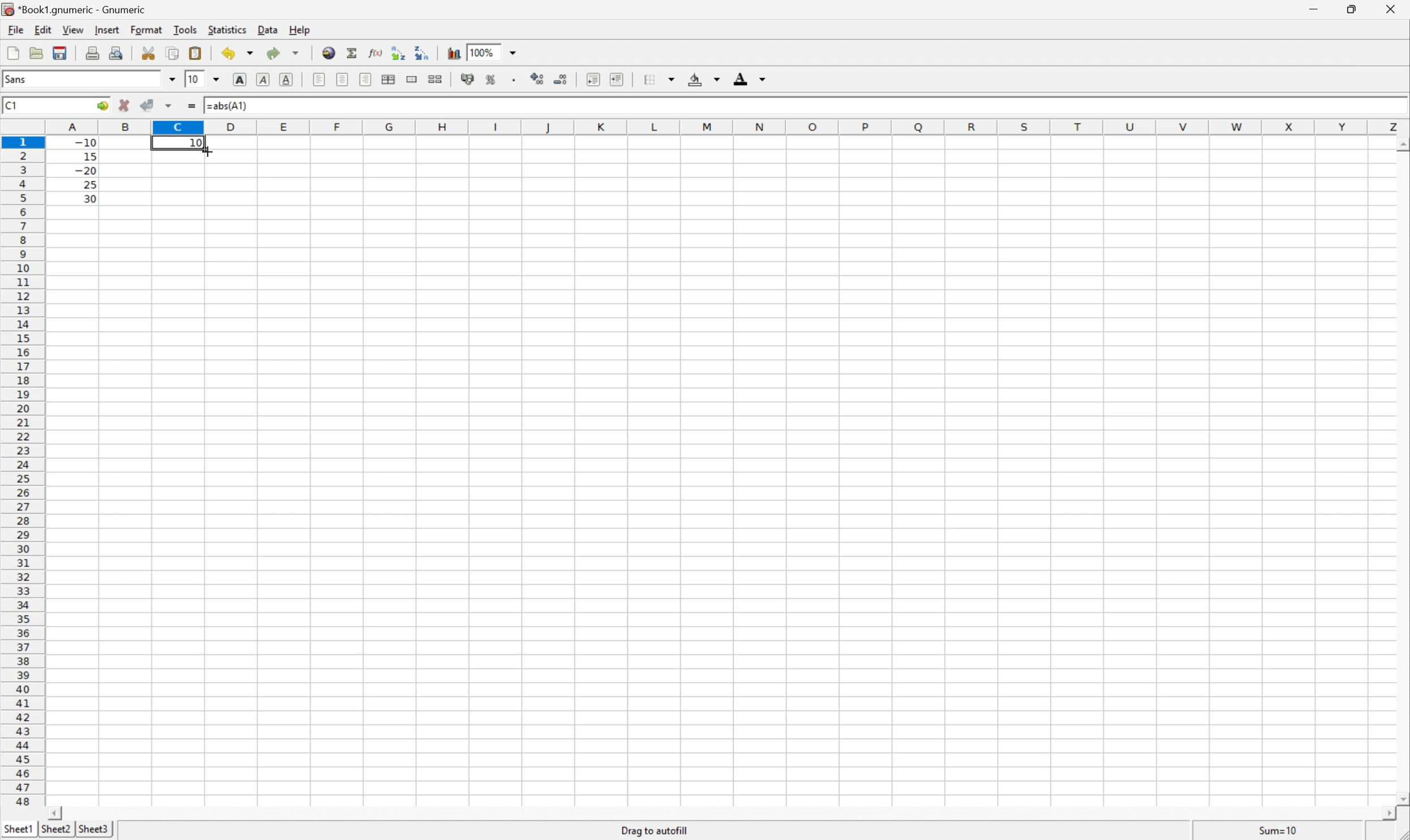 The image size is (1410, 840). What do you see at coordinates (57, 812) in the screenshot?
I see `Scroll left` at bounding box center [57, 812].